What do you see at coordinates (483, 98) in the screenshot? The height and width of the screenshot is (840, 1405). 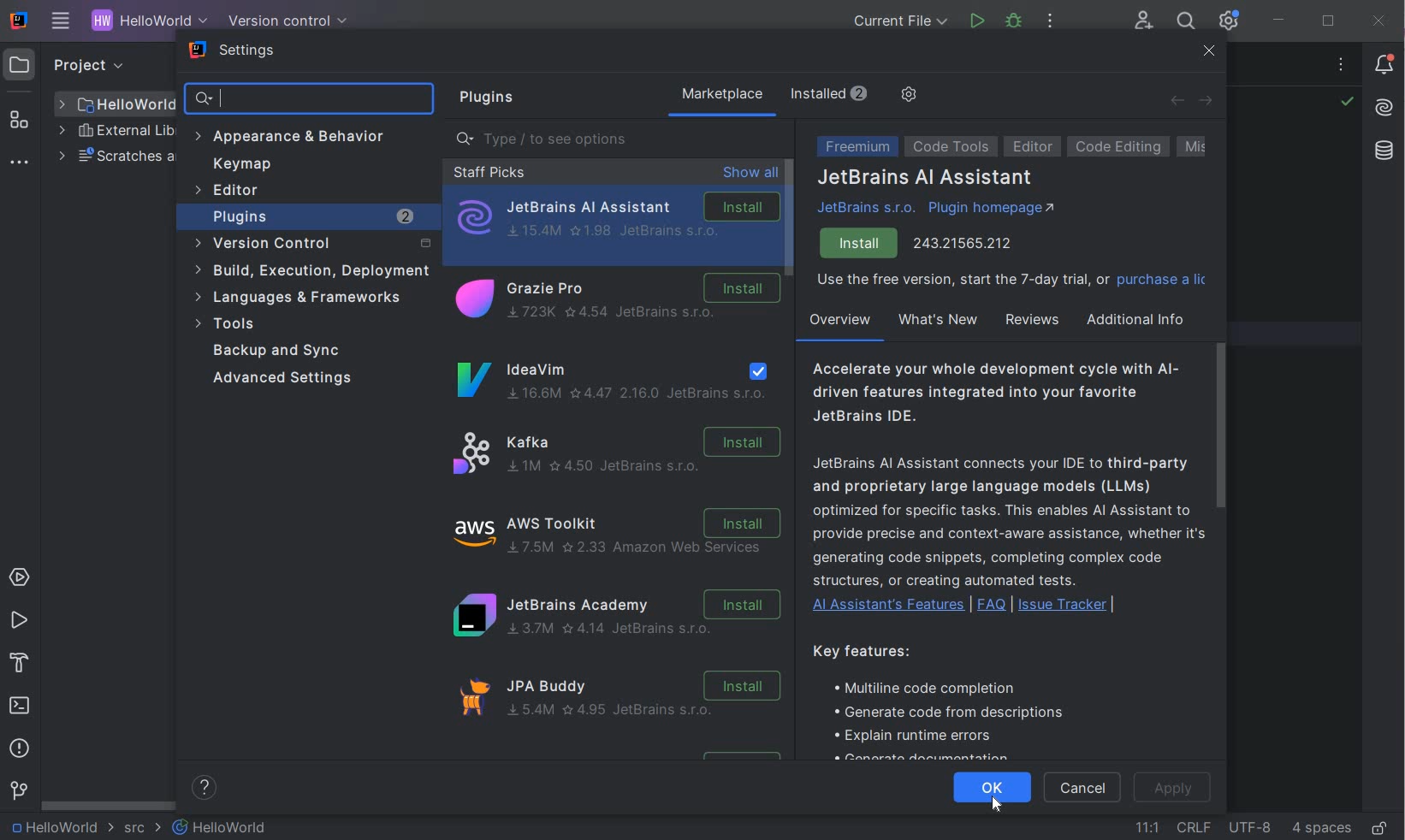 I see `plugins` at bounding box center [483, 98].